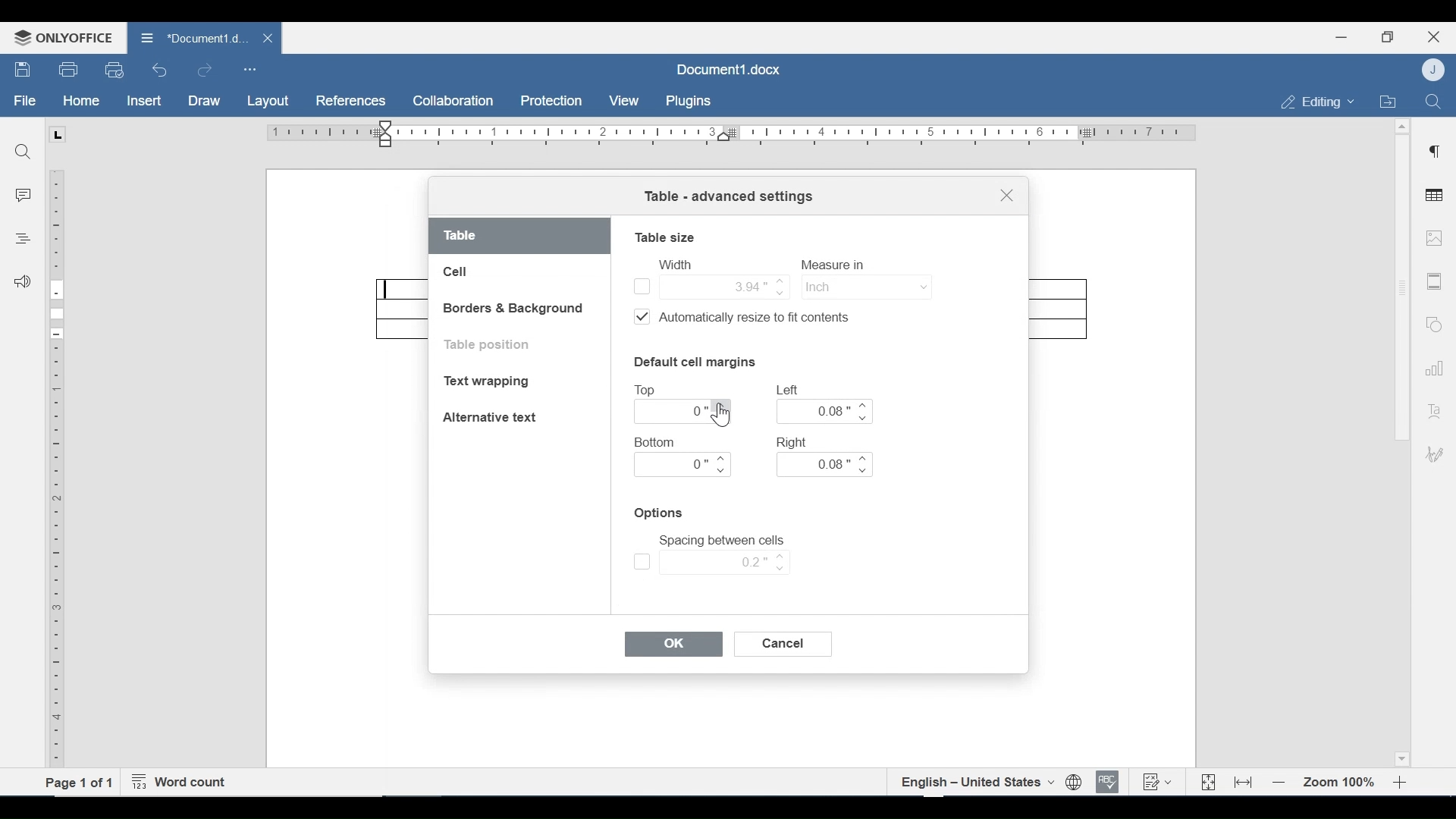 The height and width of the screenshot is (819, 1456). Describe the element at coordinates (1432, 322) in the screenshot. I see `Shapes` at that location.